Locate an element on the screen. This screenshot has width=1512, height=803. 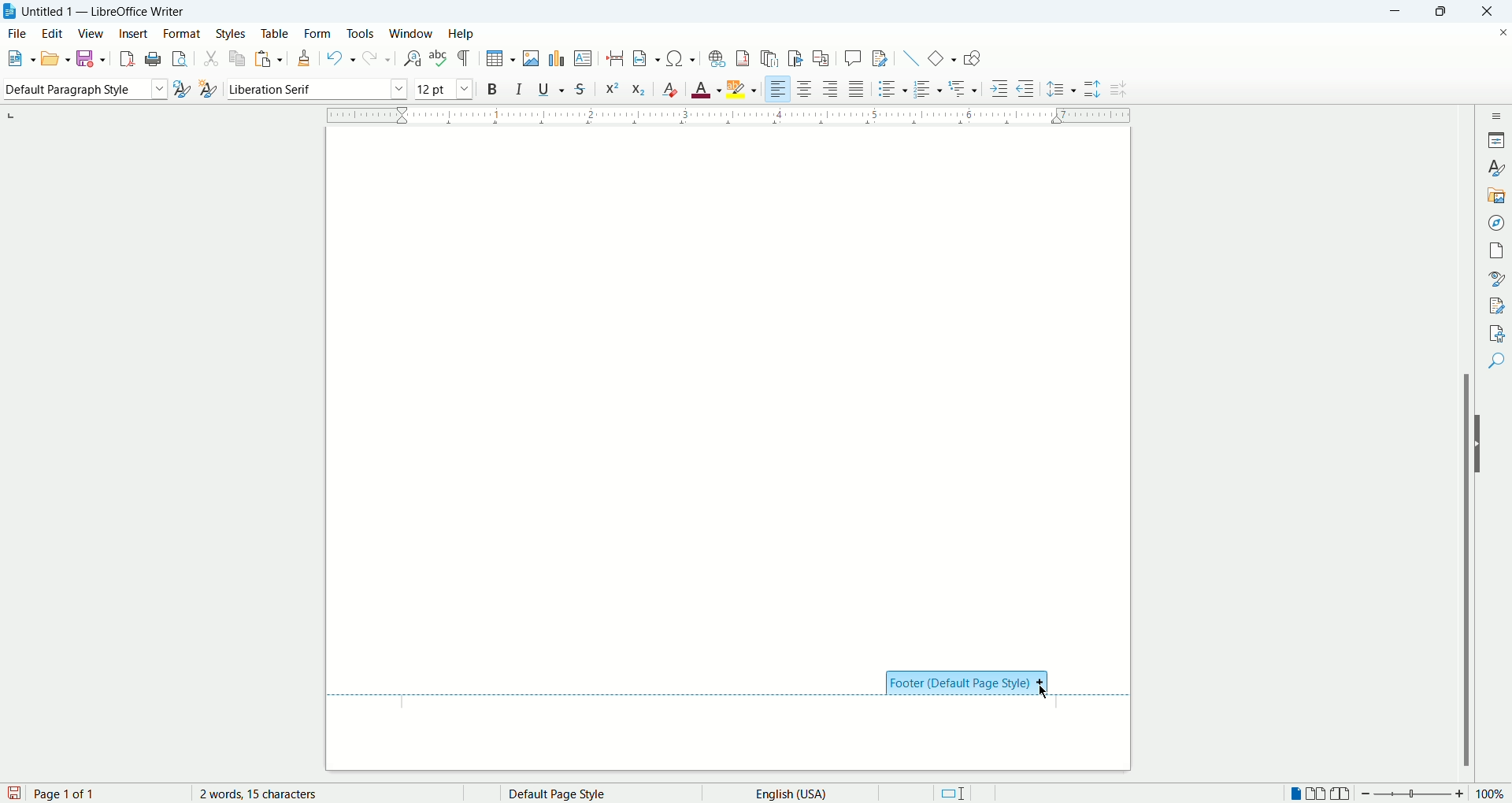
gallery is located at coordinates (1497, 194).